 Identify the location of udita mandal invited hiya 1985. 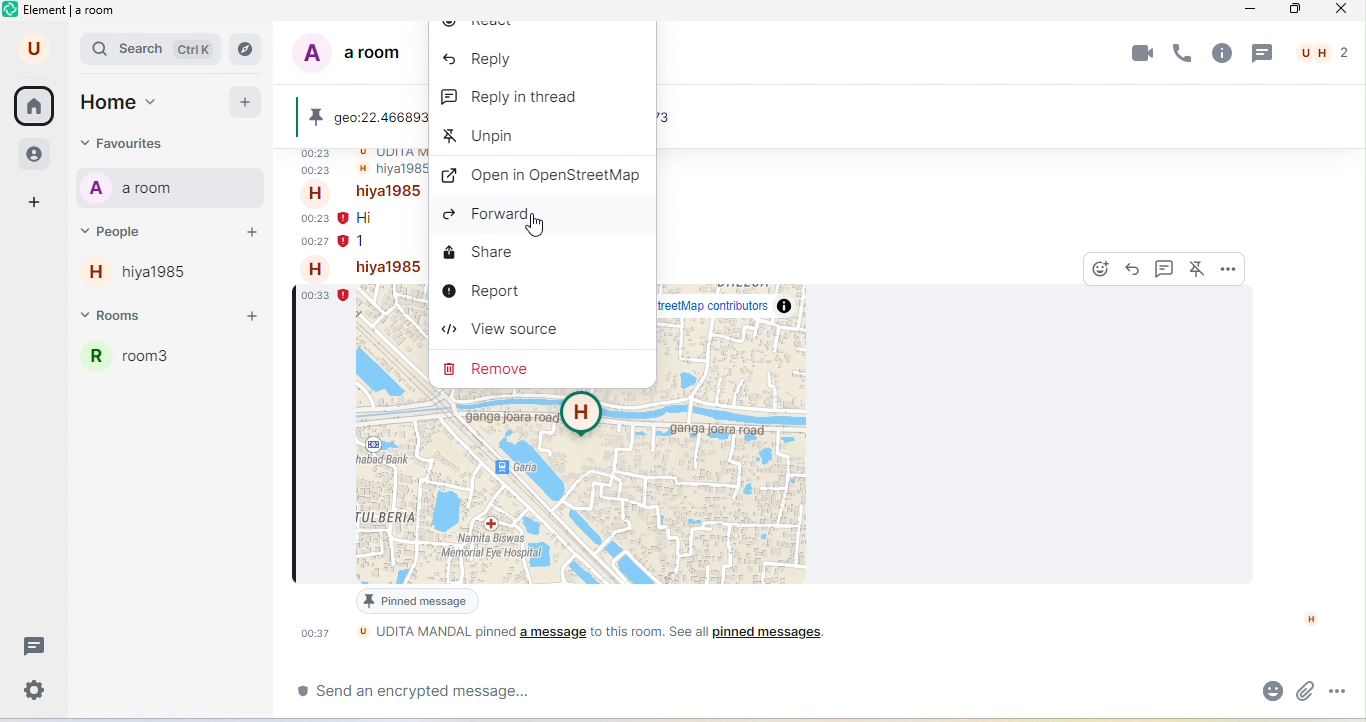
(386, 154).